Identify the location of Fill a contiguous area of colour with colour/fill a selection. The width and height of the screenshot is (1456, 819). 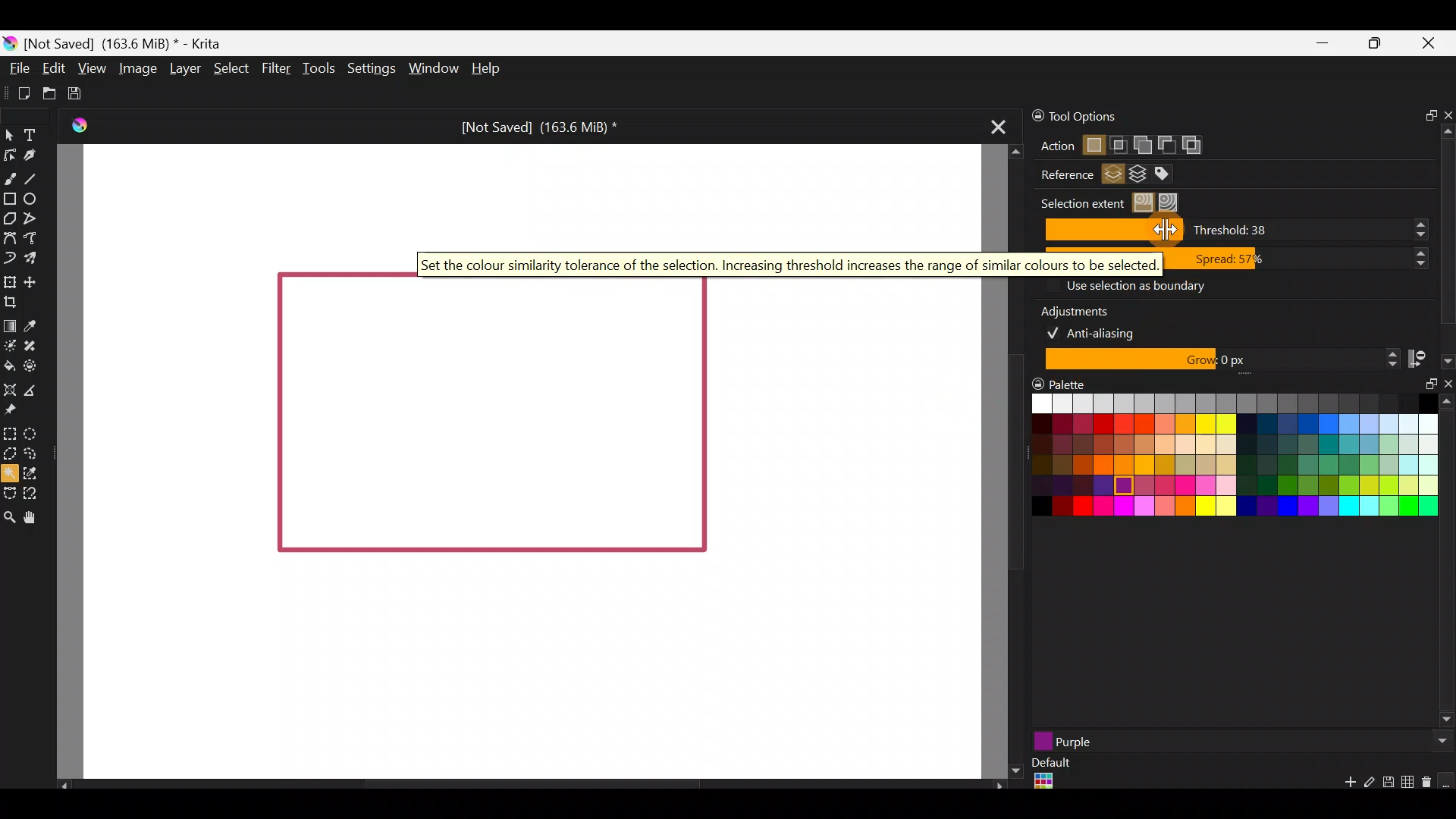
(9, 365).